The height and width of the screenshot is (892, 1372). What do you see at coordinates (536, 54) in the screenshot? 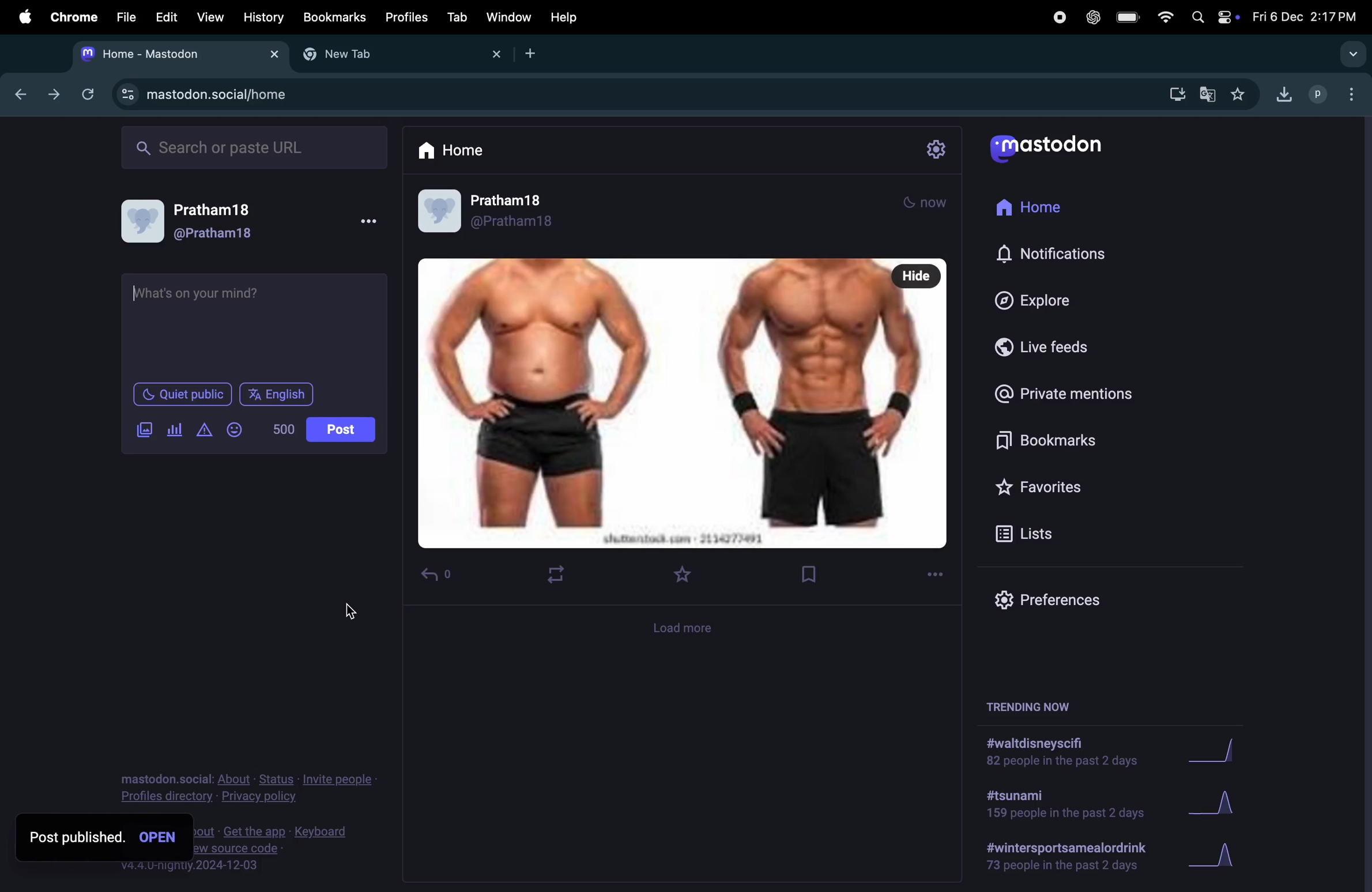
I see `new tab` at bounding box center [536, 54].